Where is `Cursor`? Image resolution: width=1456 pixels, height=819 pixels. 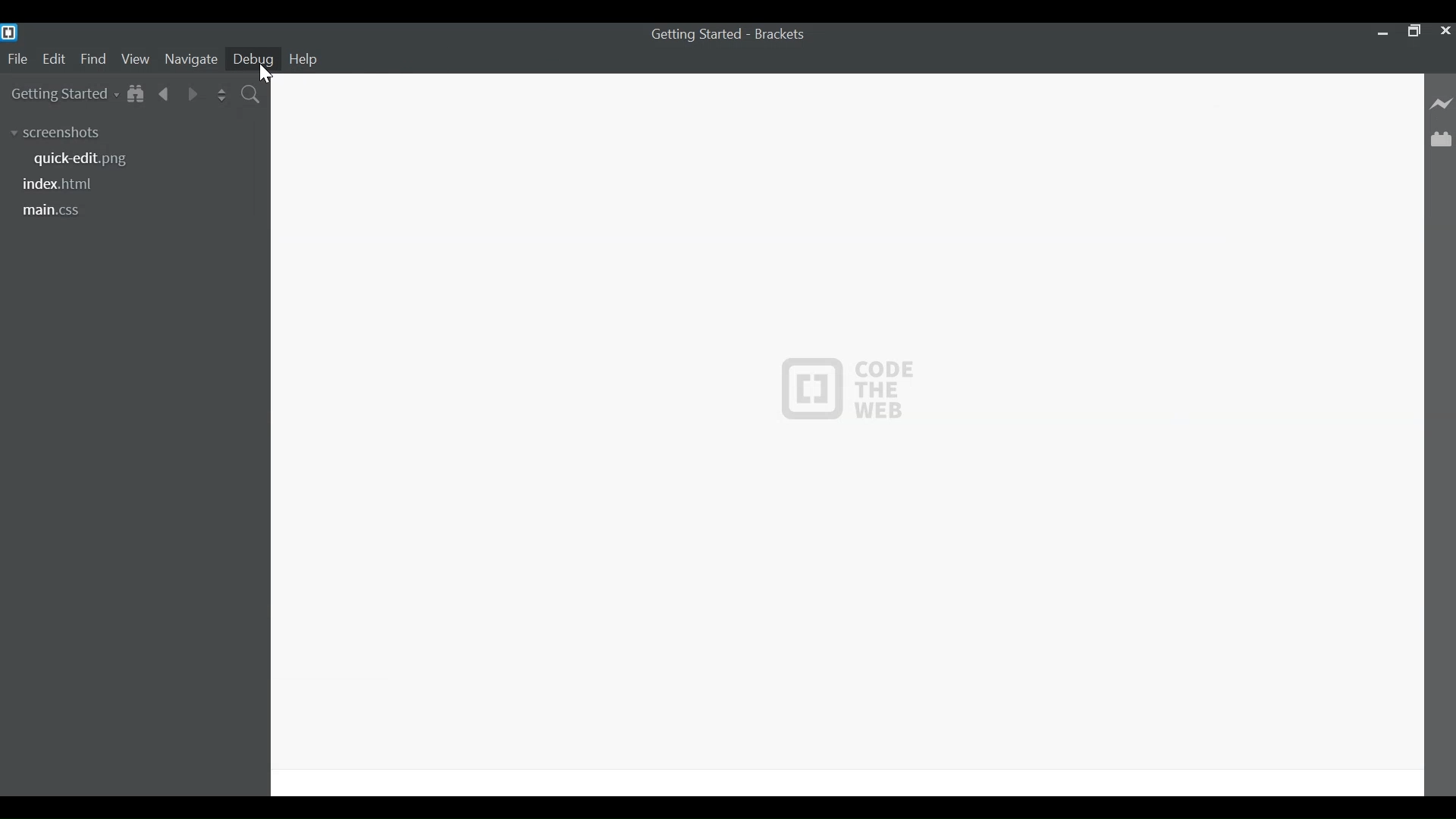 Cursor is located at coordinates (267, 74).